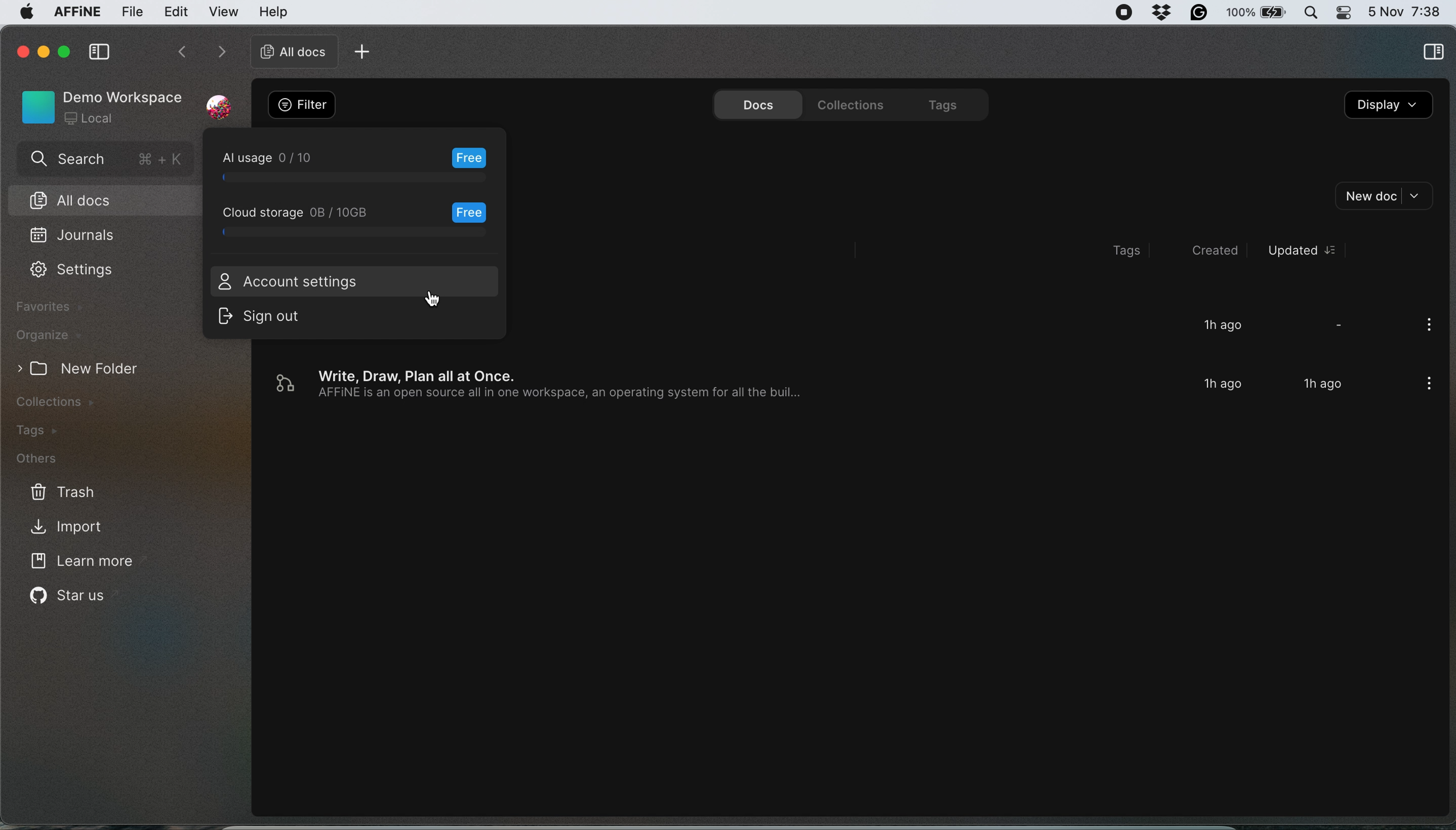  I want to click on grammarly, so click(1201, 13).